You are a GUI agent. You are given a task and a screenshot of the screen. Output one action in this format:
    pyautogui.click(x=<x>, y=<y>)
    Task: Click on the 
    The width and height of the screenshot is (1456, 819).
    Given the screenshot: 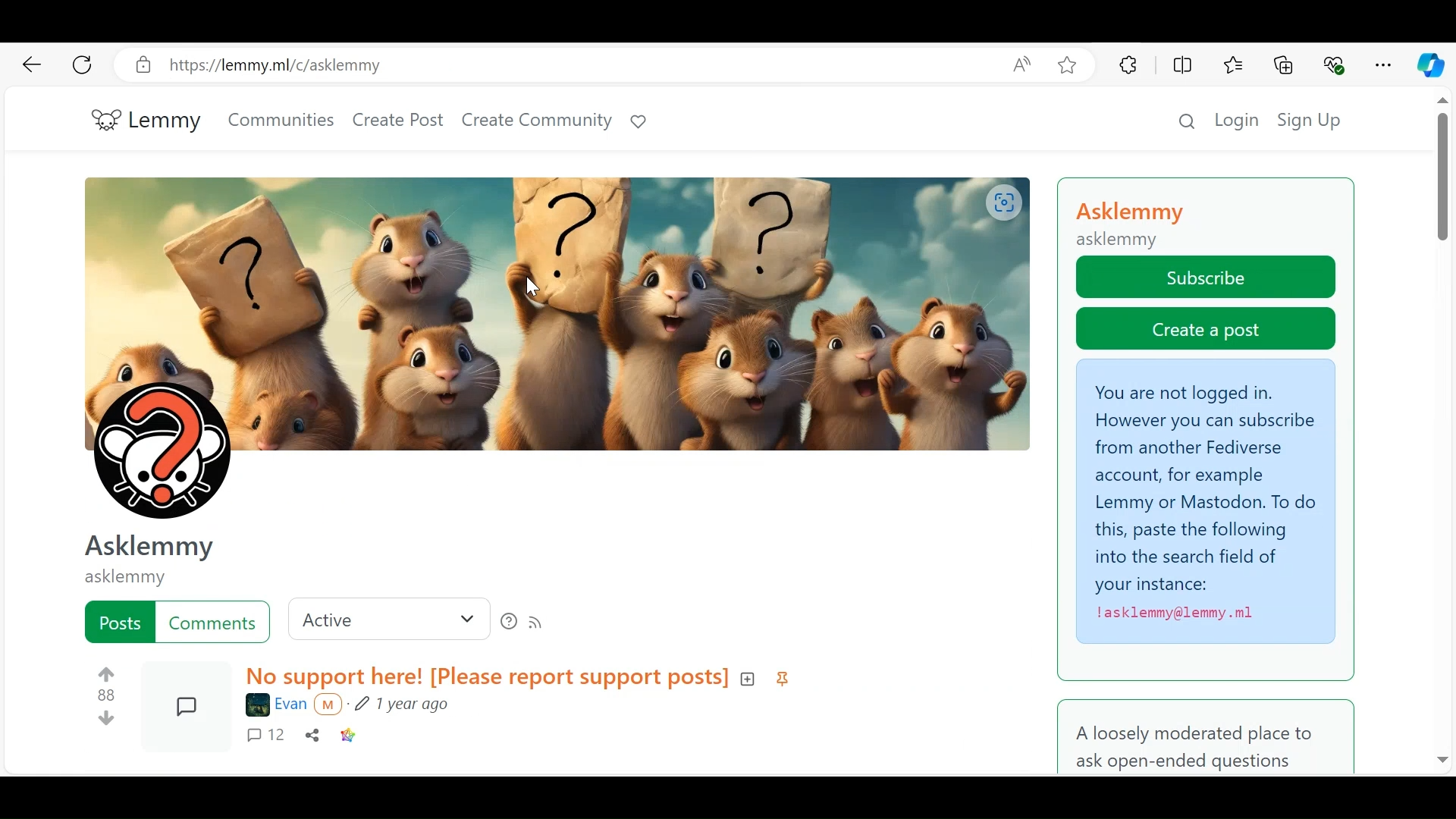 What is the action you would take?
    pyautogui.click(x=406, y=704)
    